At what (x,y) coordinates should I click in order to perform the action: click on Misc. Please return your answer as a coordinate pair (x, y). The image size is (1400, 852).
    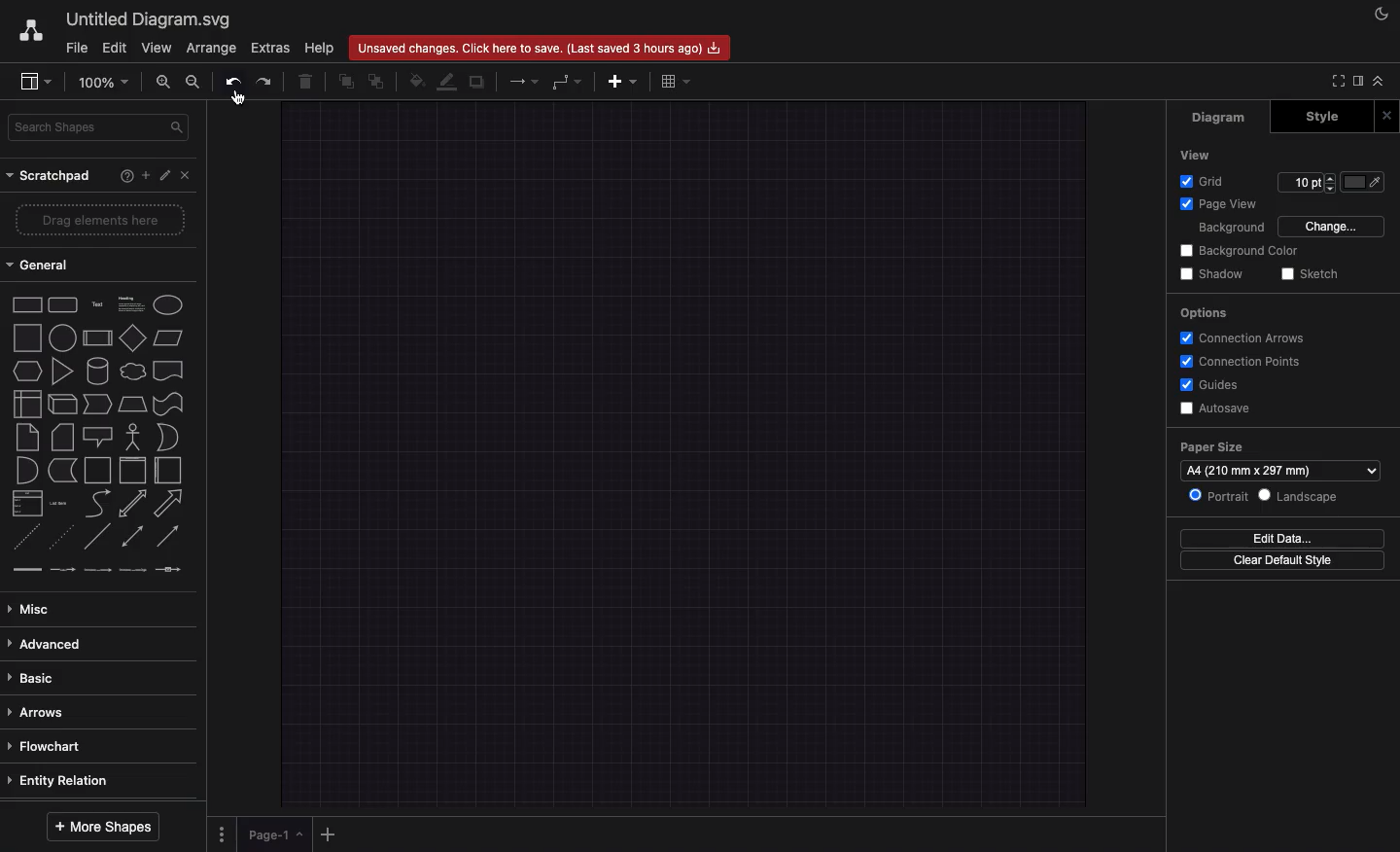
    Looking at the image, I should click on (39, 609).